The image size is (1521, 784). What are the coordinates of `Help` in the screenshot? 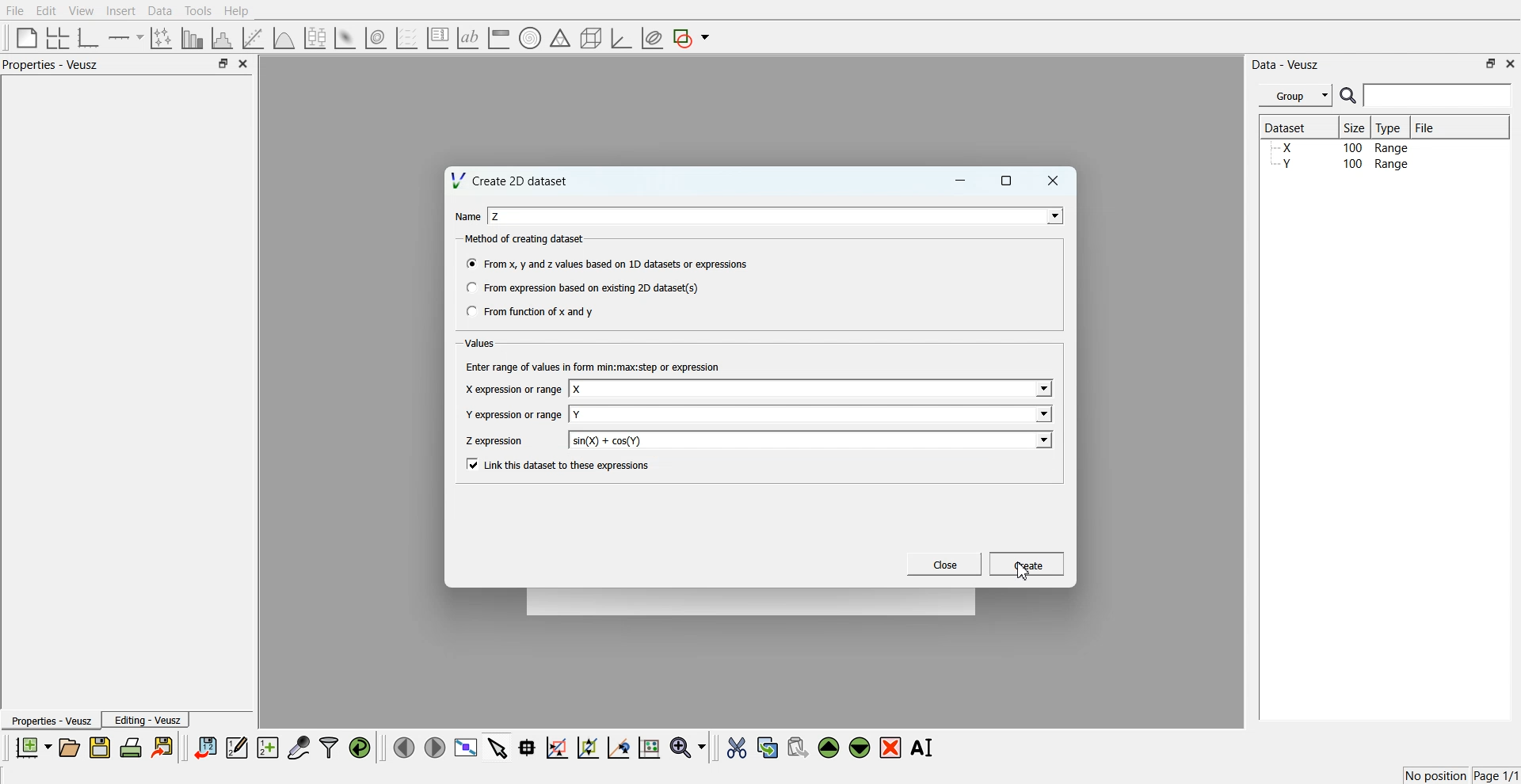 It's located at (237, 11).